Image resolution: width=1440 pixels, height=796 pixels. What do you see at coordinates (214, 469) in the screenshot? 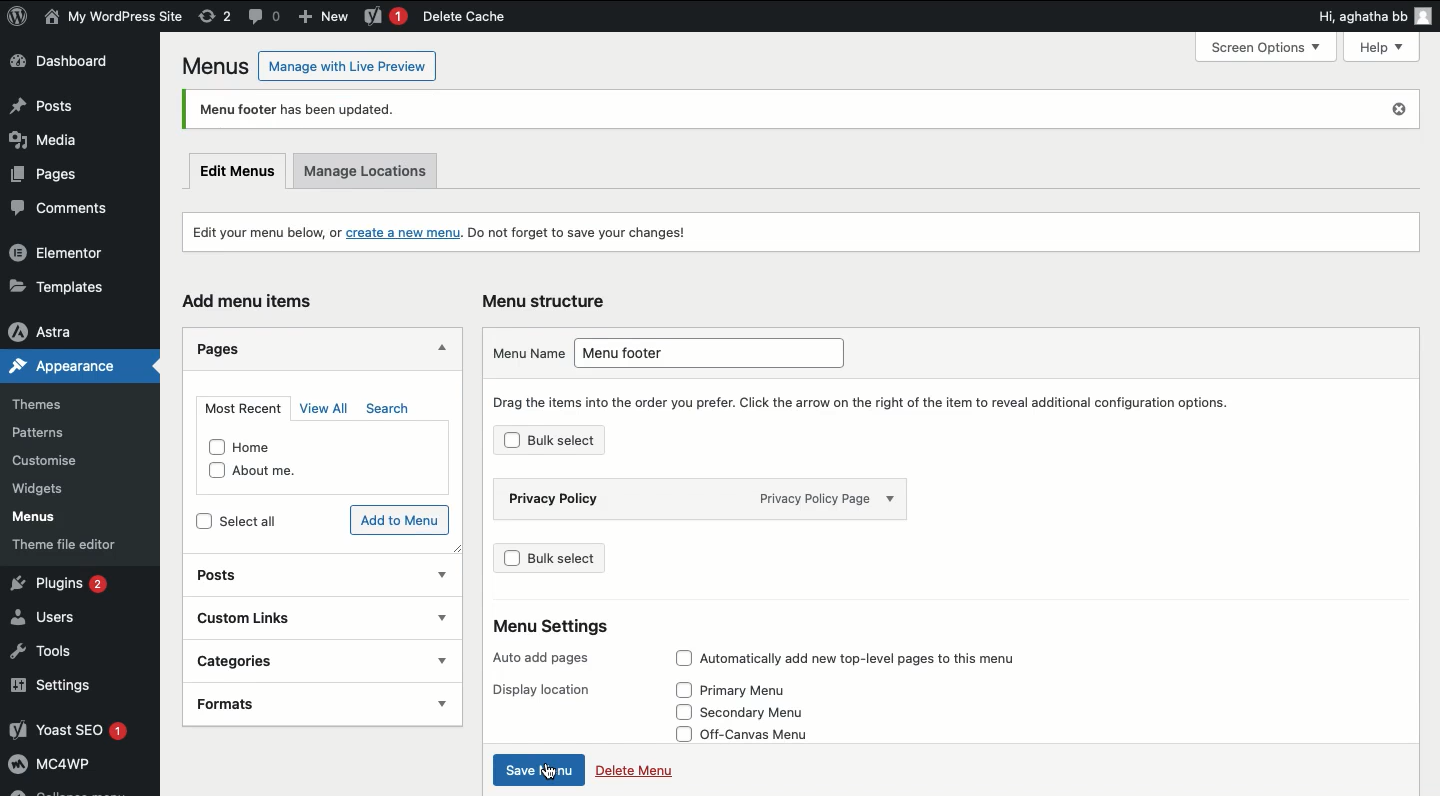
I see `checkbox` at bounding box center [214, 469].